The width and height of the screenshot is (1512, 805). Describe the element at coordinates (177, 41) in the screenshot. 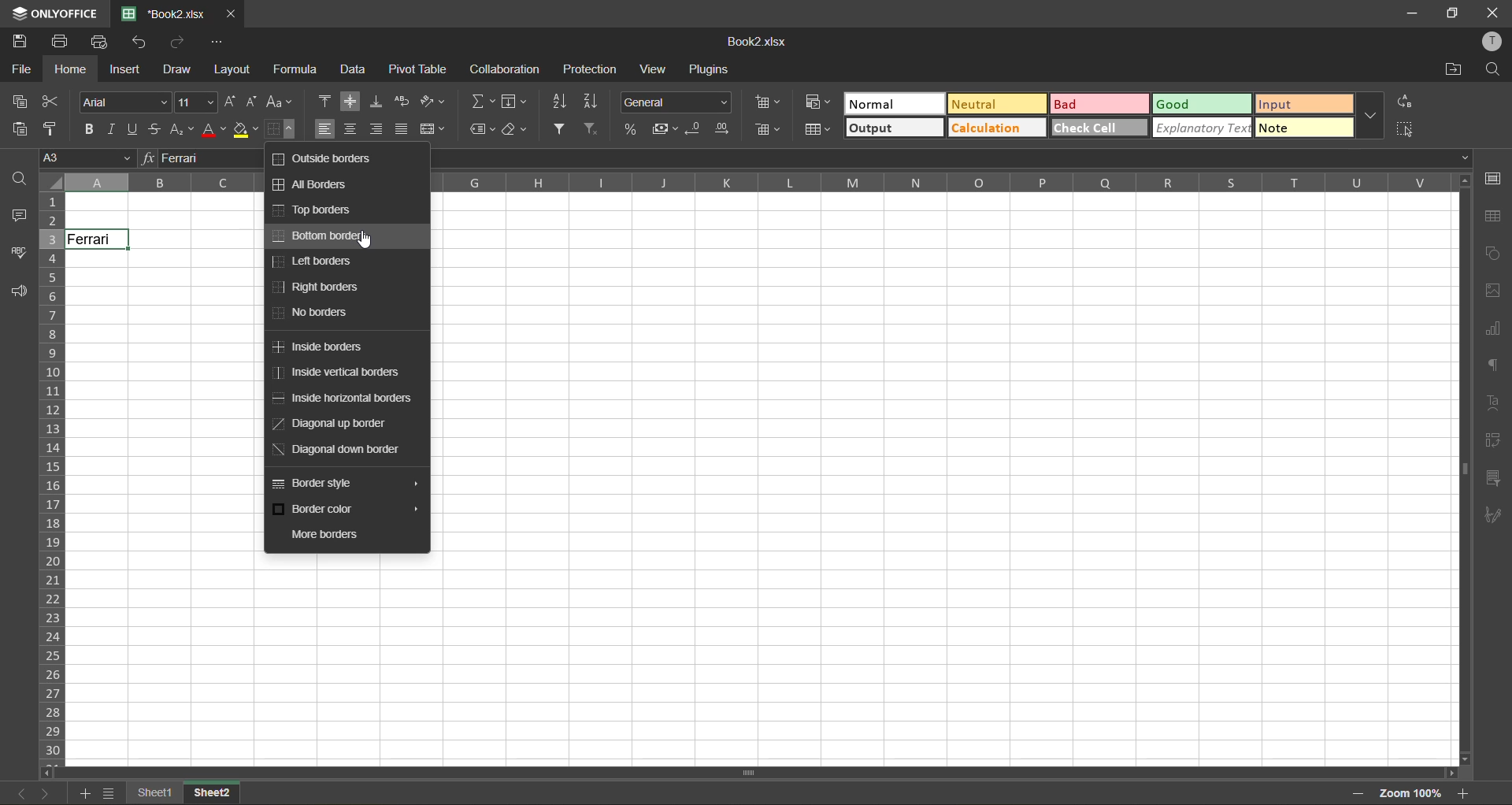

I see `redo` at that location.